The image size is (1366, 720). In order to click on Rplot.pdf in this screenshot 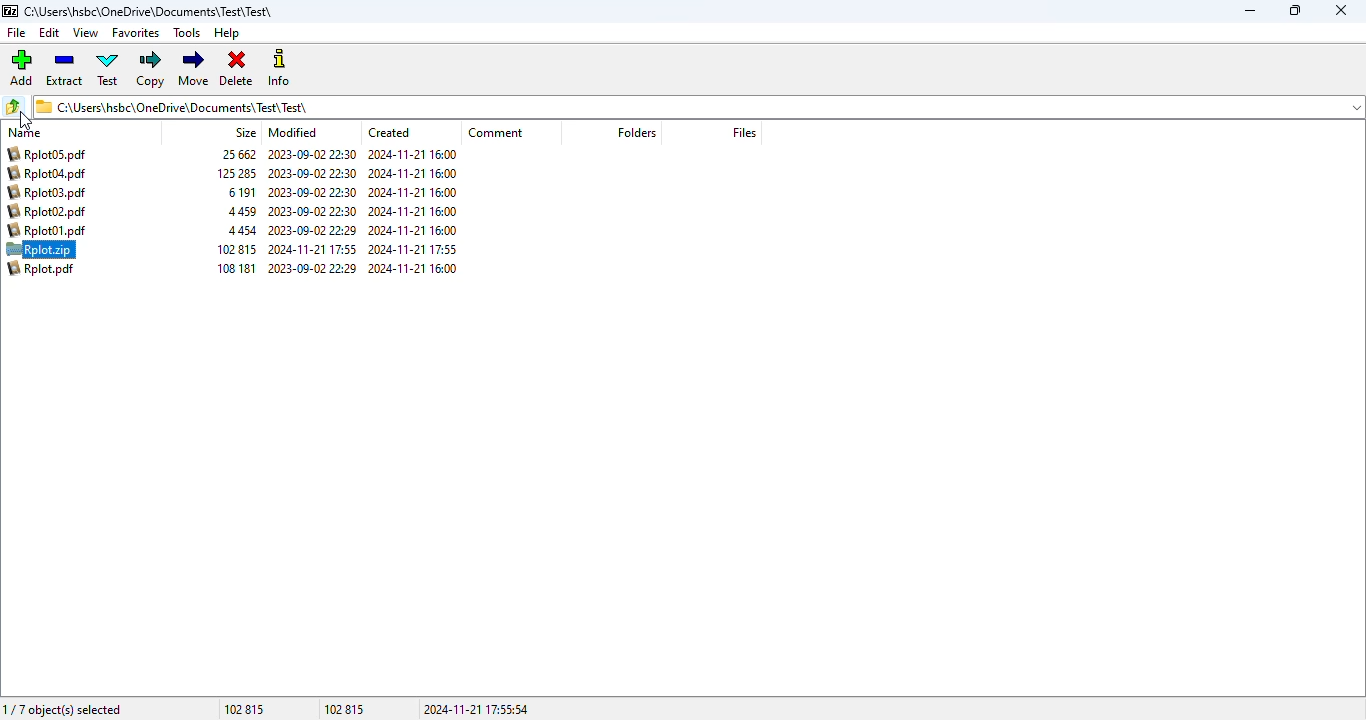, I will do `click(41, 270)`.